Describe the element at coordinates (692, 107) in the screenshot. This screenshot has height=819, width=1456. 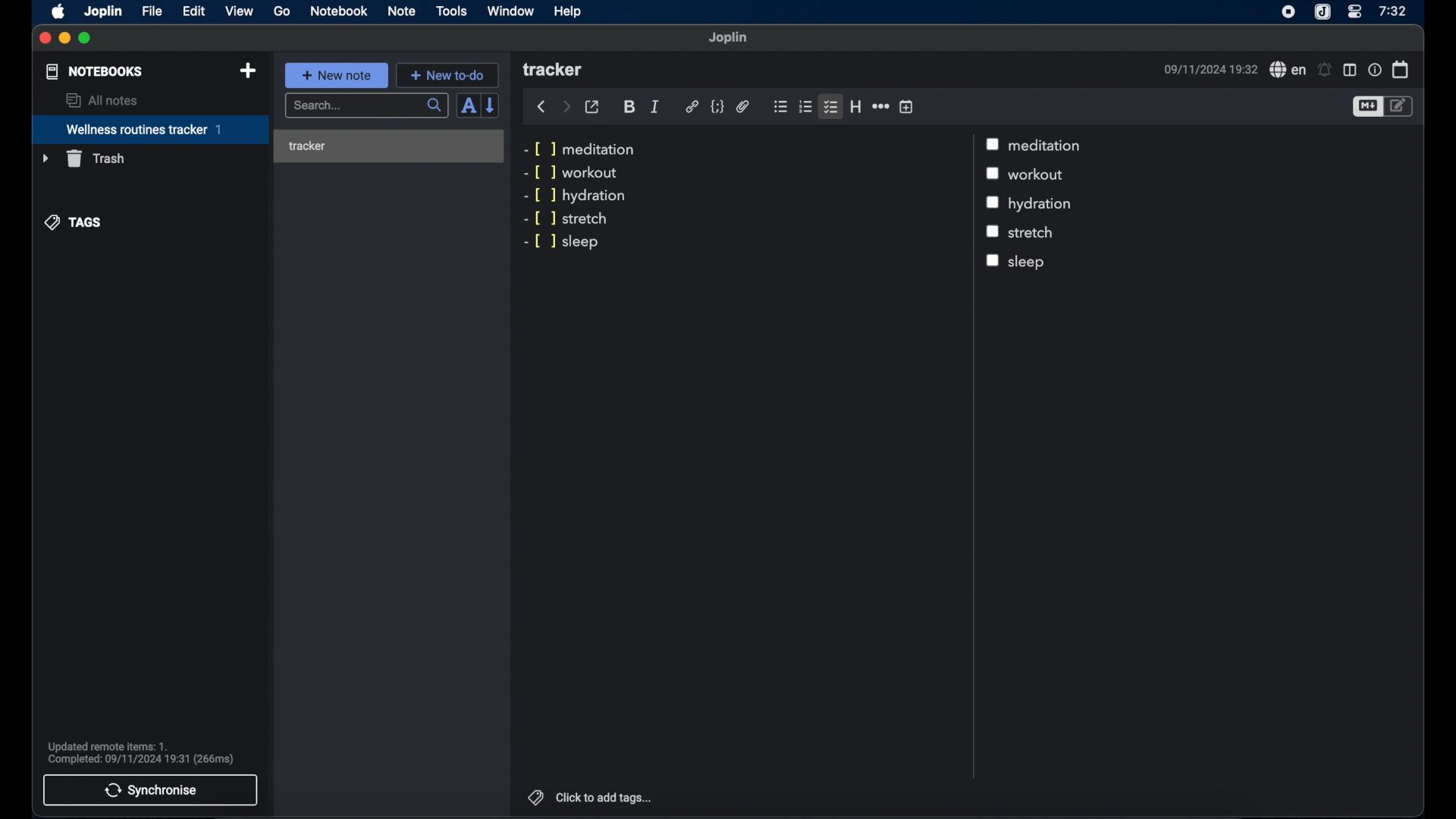
I see `hyperlink` at that location.